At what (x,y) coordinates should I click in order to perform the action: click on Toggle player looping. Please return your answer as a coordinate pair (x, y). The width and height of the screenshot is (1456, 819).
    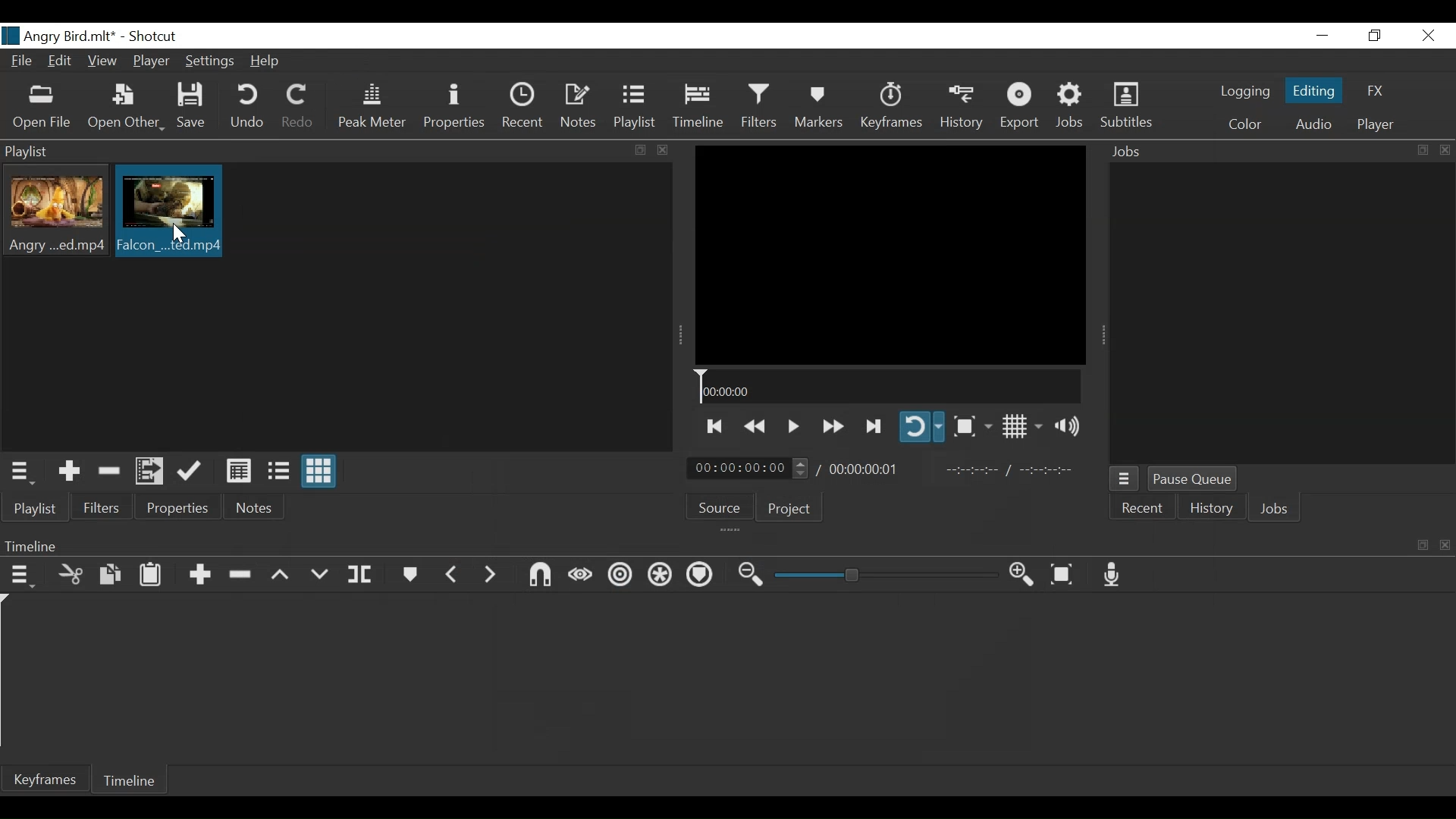
    Looking at the image, I should click on (921, 426).